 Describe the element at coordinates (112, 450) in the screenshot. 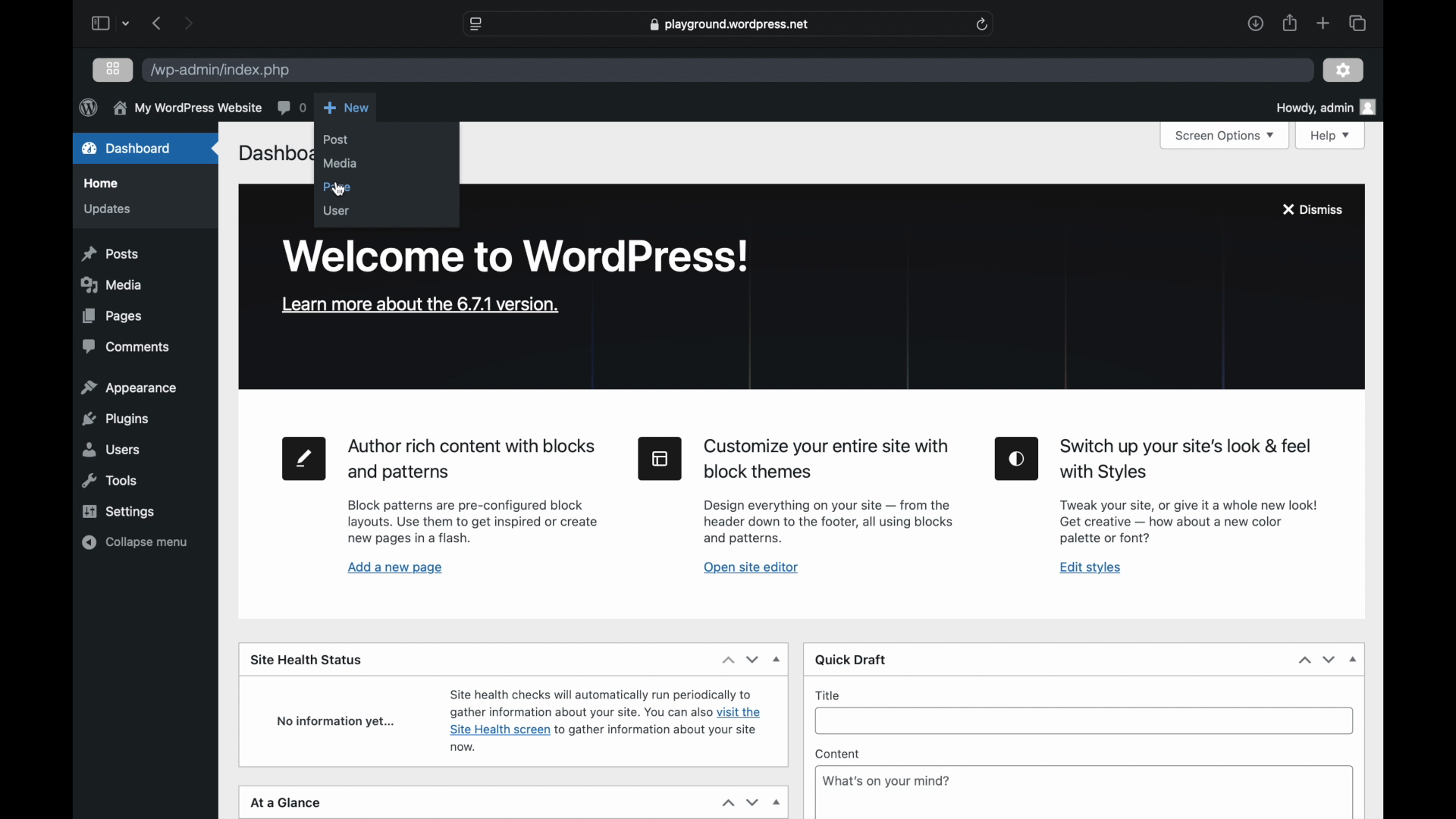

I see `users` at that location.